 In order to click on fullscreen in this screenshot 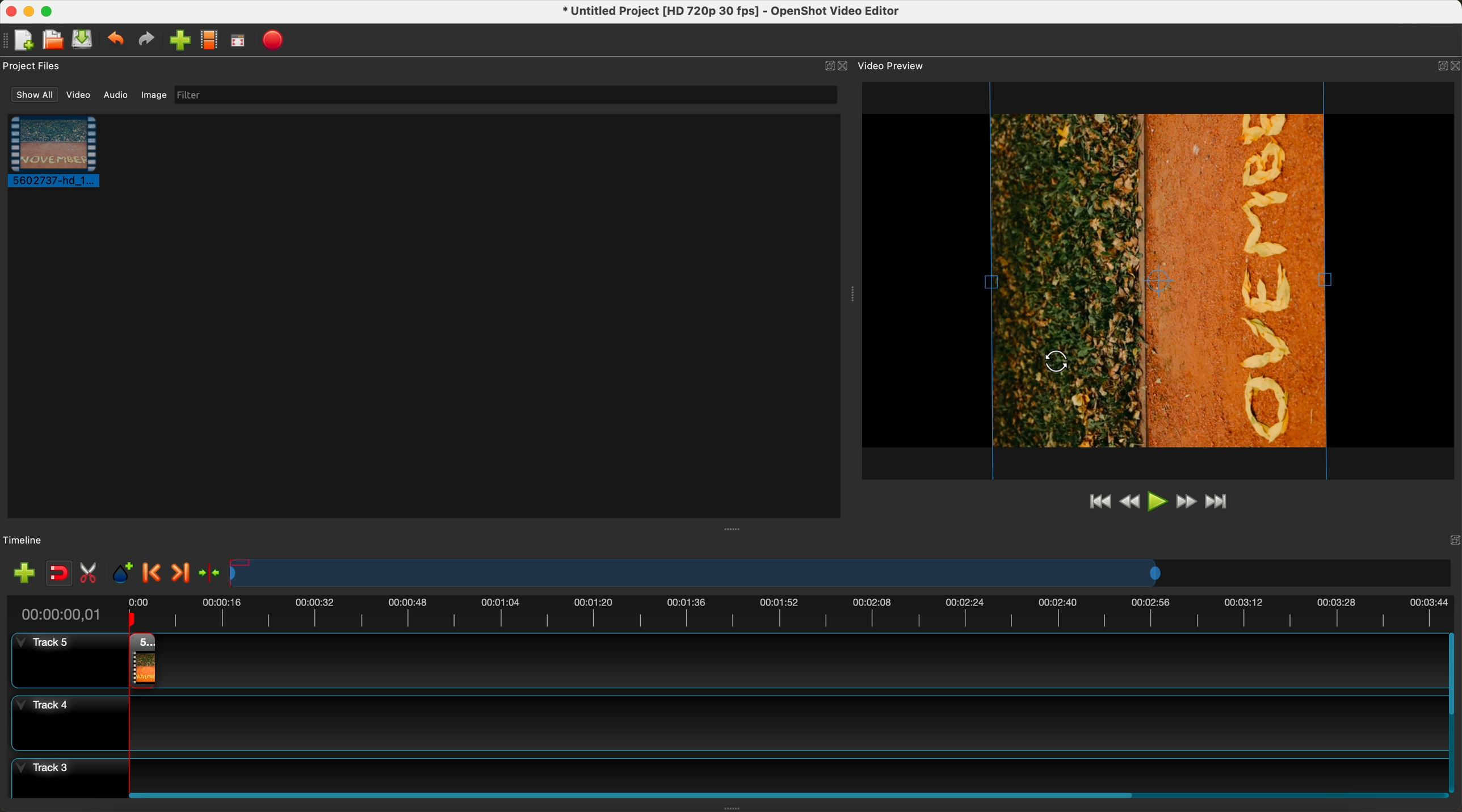, I will do `click(237, 41)`.